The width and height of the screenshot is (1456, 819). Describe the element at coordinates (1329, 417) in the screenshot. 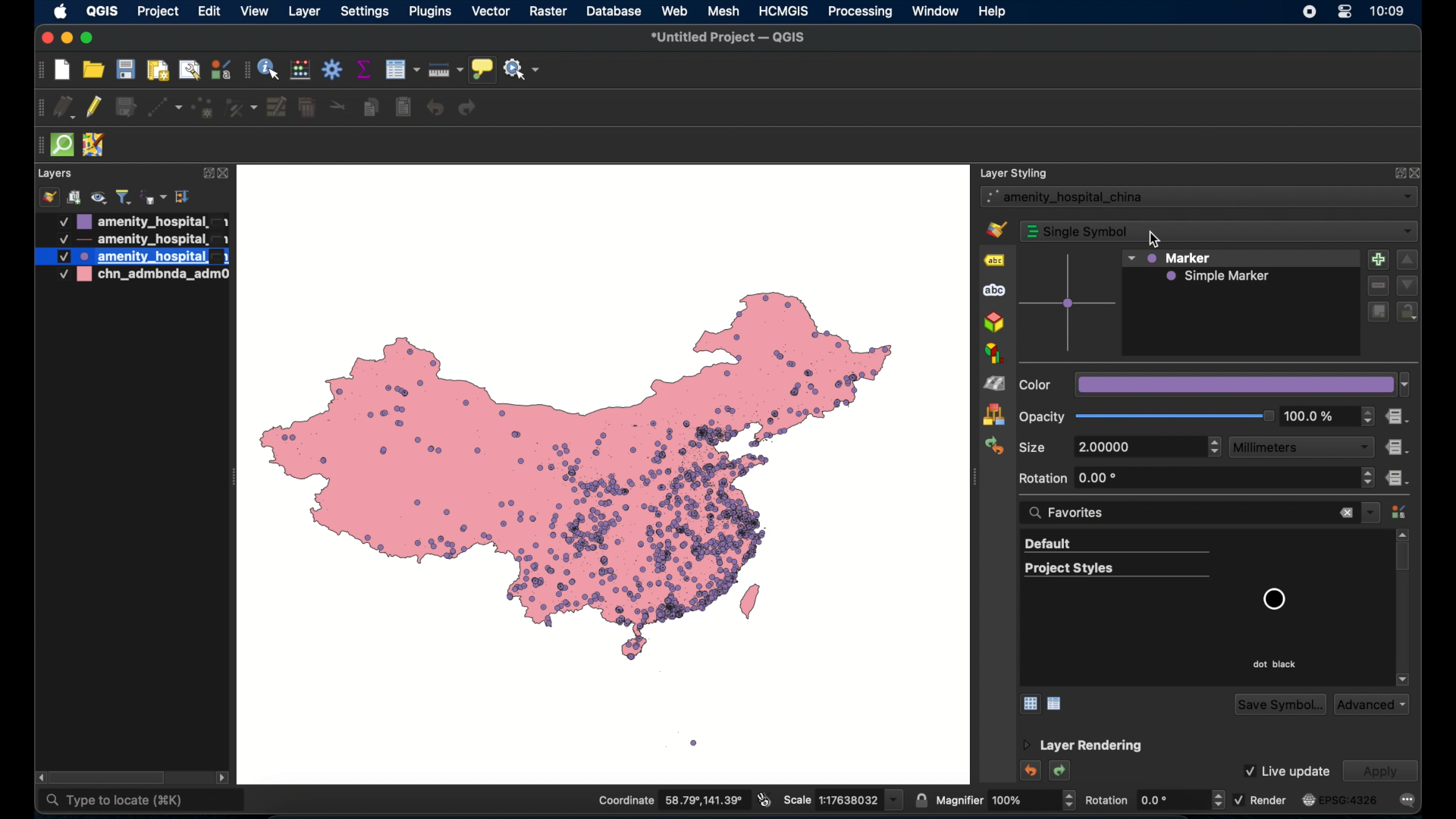

I see `opacity` at that location.